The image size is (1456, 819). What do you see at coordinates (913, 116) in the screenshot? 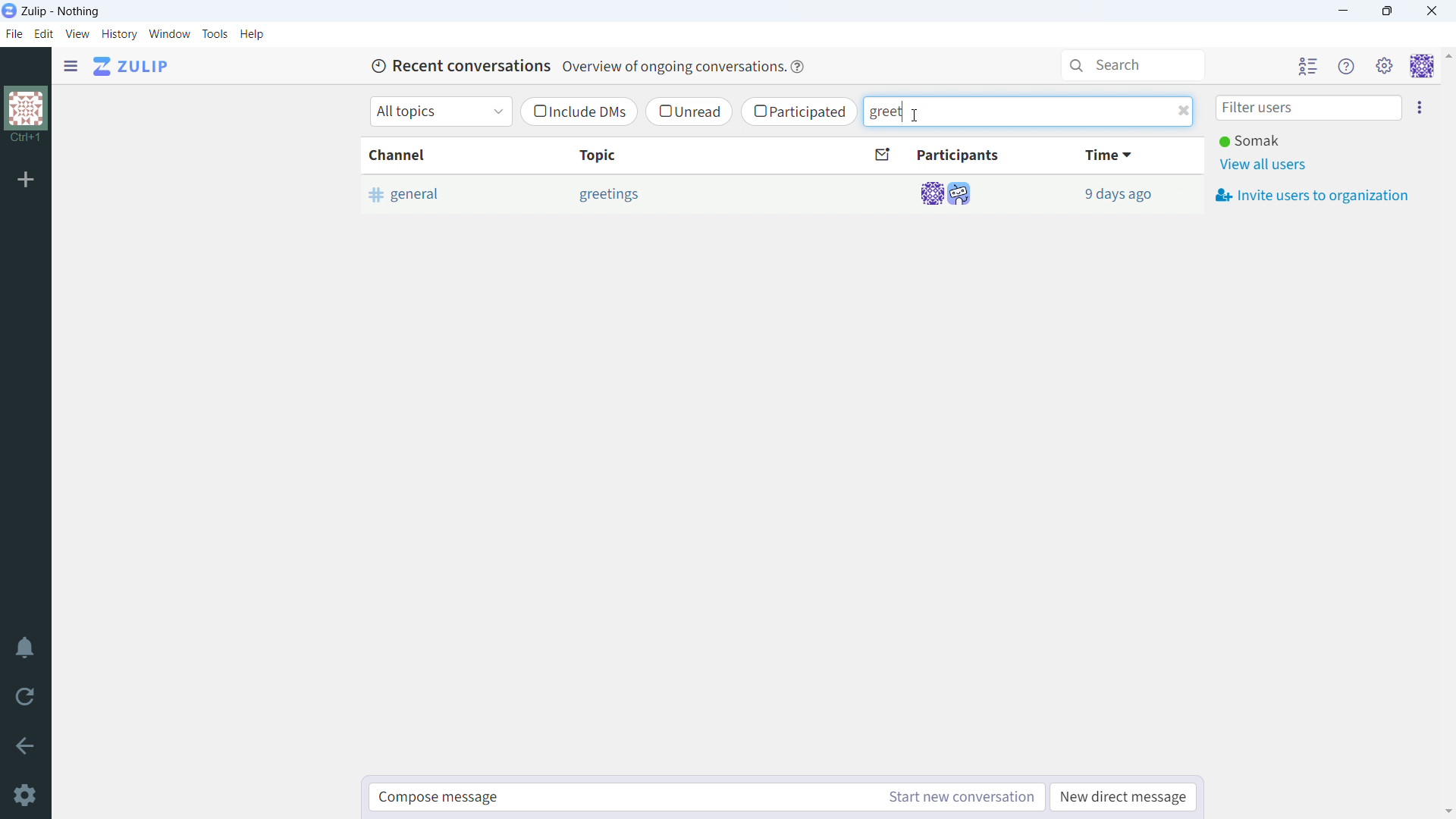
I see `cursor` at bounding box center [913, 116].